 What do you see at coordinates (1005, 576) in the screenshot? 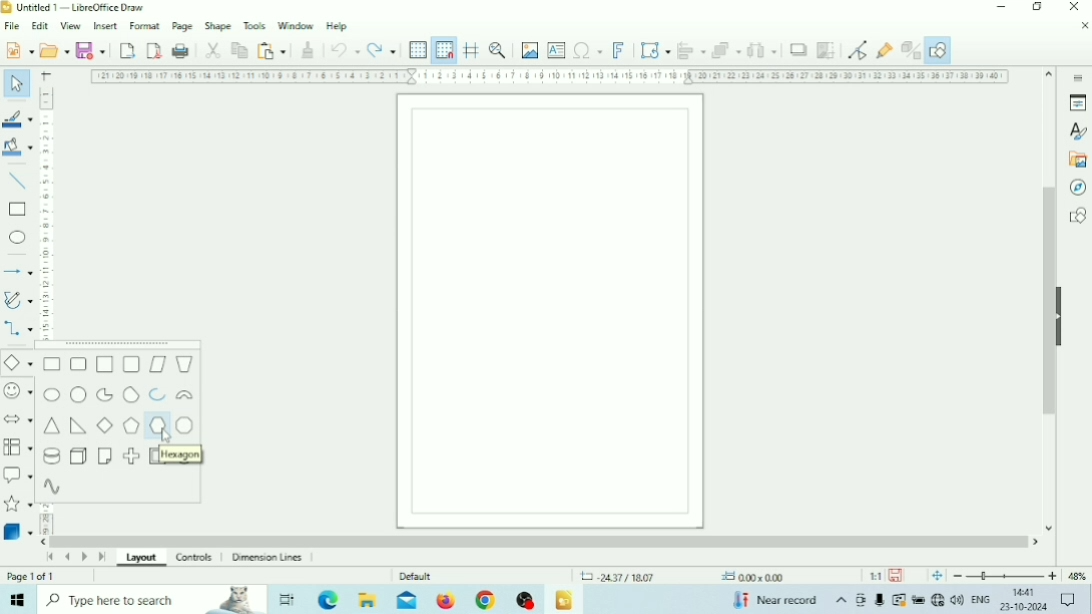
I see `Zoom Out/In` at bounding box center [1005, 576].